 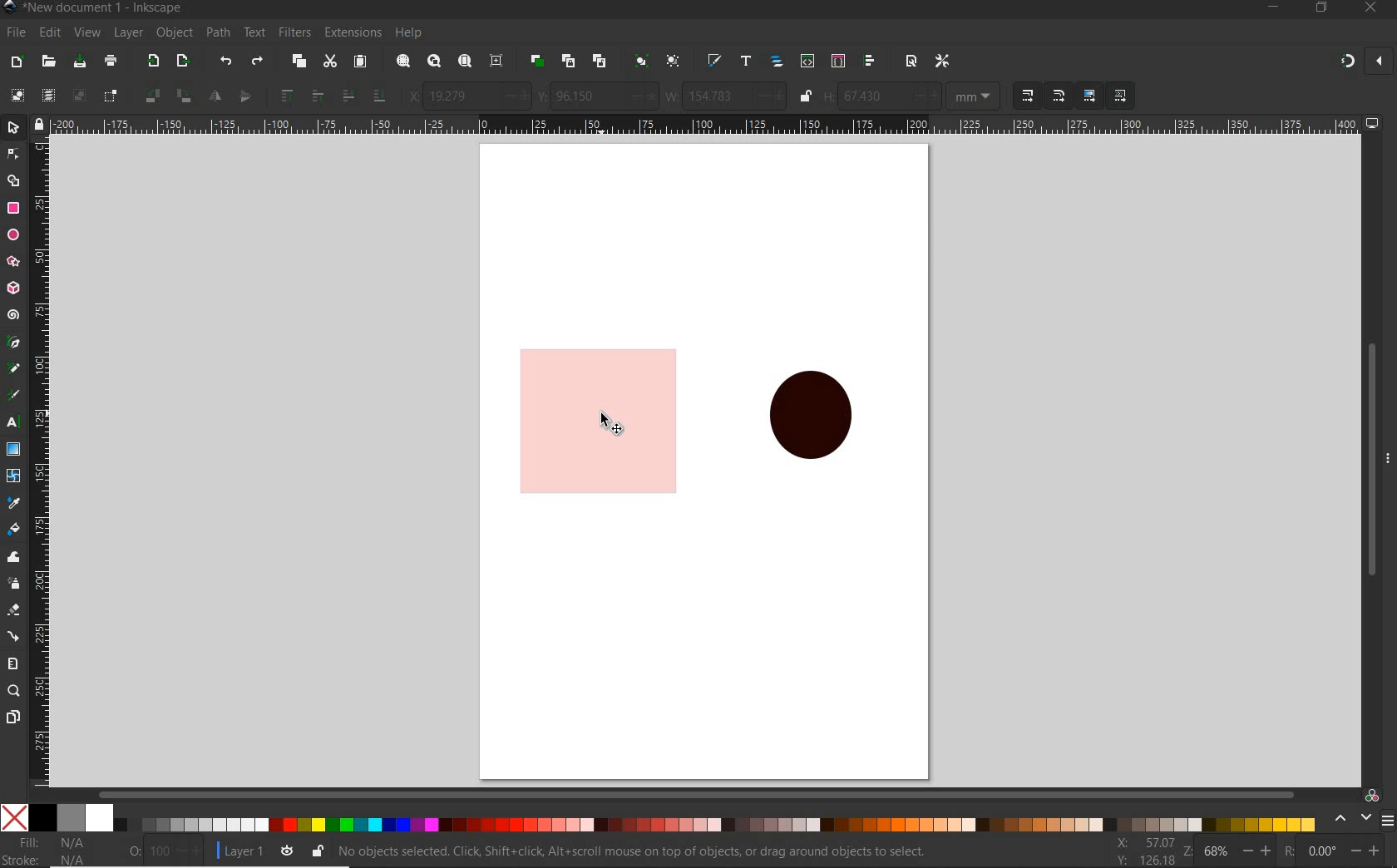 I want to click on deselect, so click(x=79, y=97).